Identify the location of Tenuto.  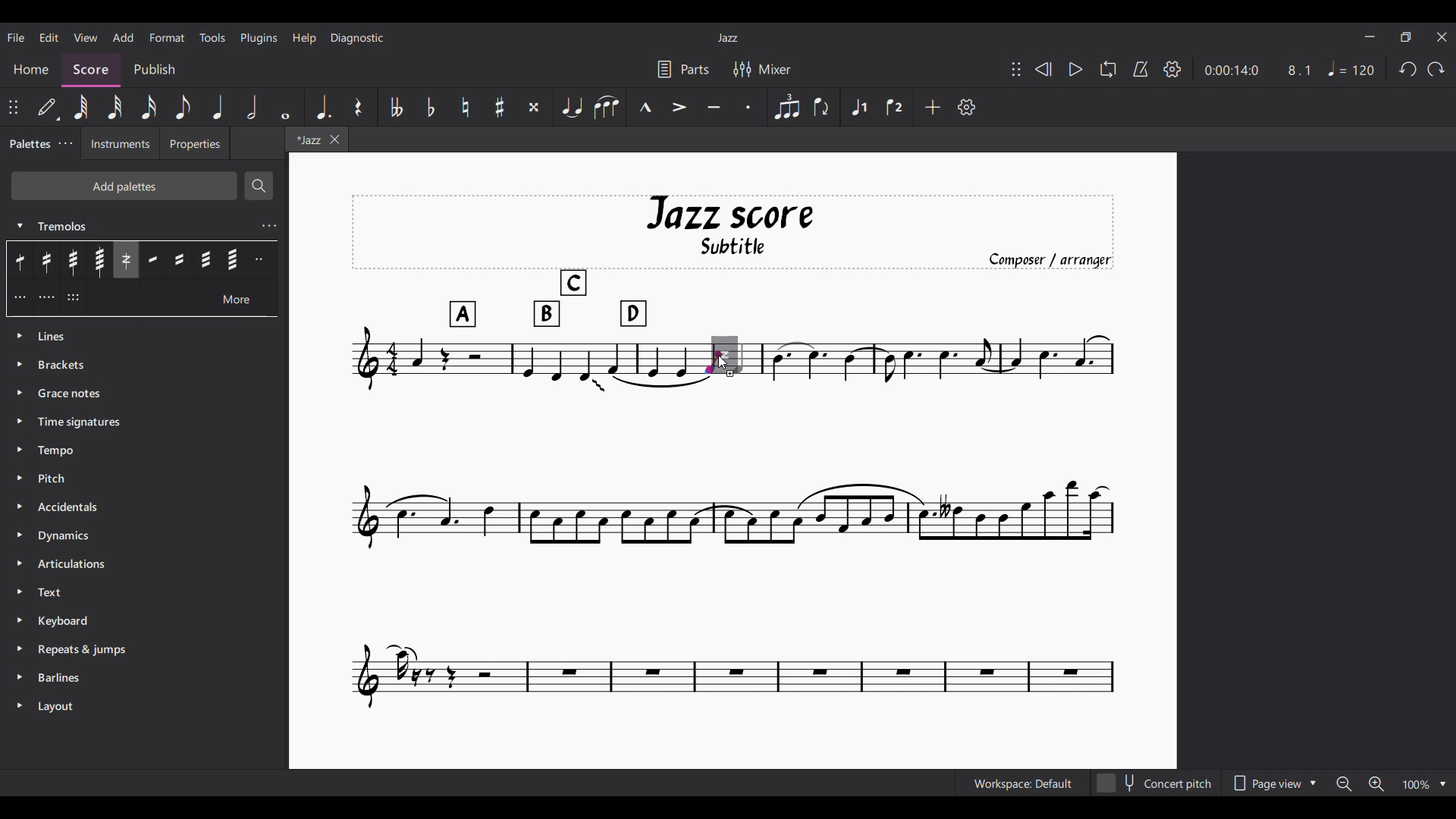
(714, 107).